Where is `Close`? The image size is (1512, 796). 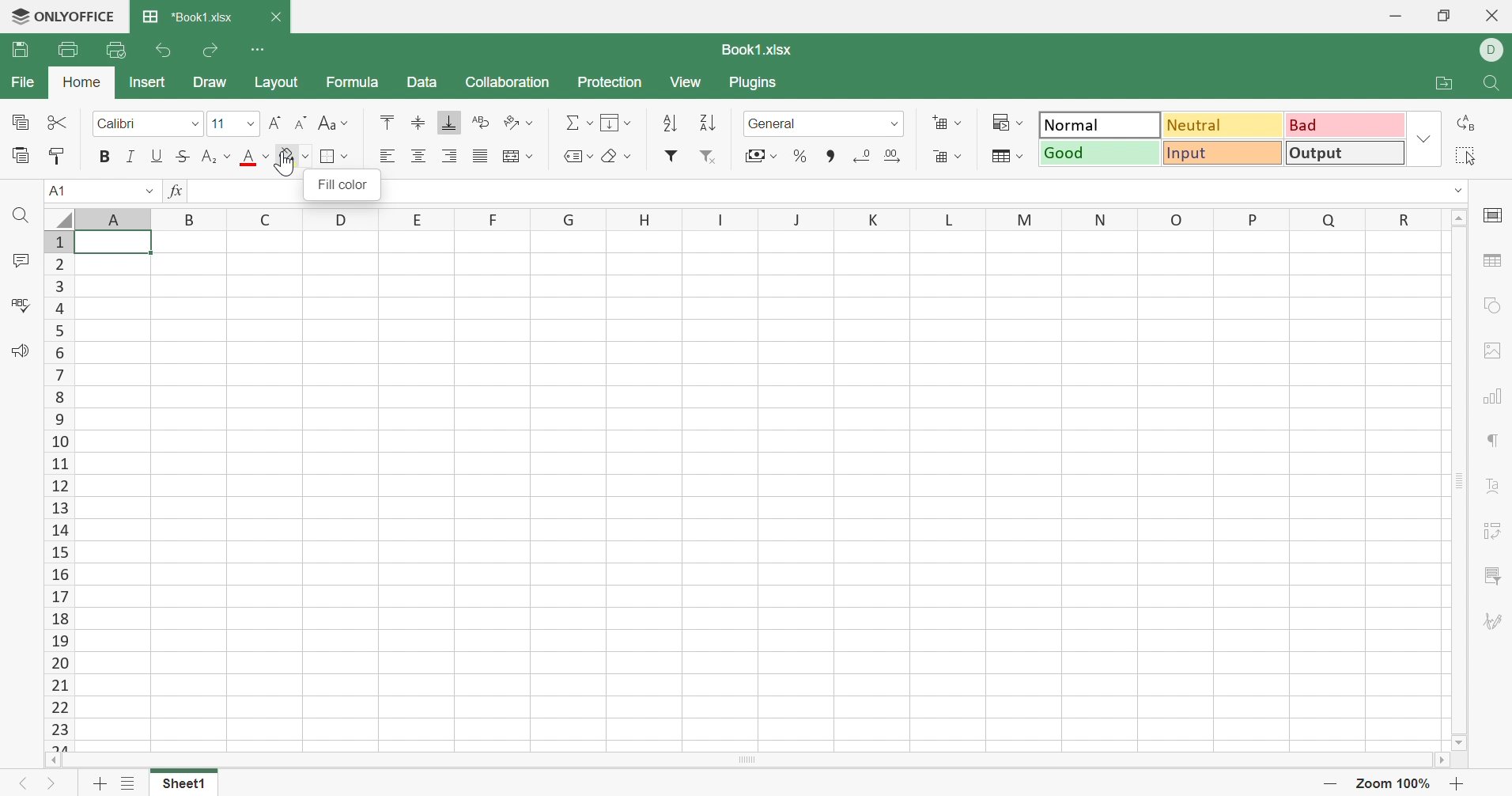
Close is located at coordinates (1493, 15).